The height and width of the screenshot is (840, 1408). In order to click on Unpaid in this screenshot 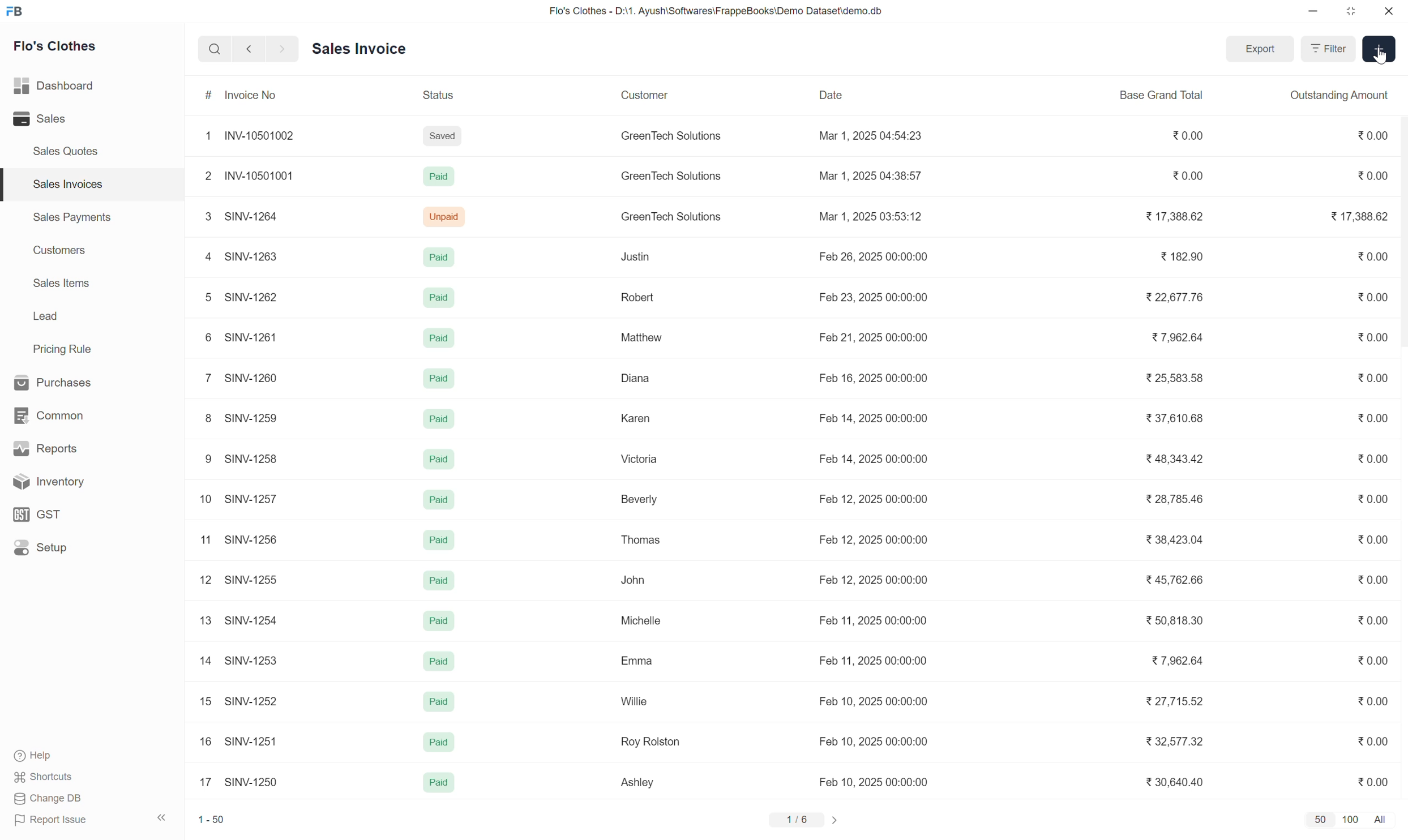, I will do `click(439, 216)`.